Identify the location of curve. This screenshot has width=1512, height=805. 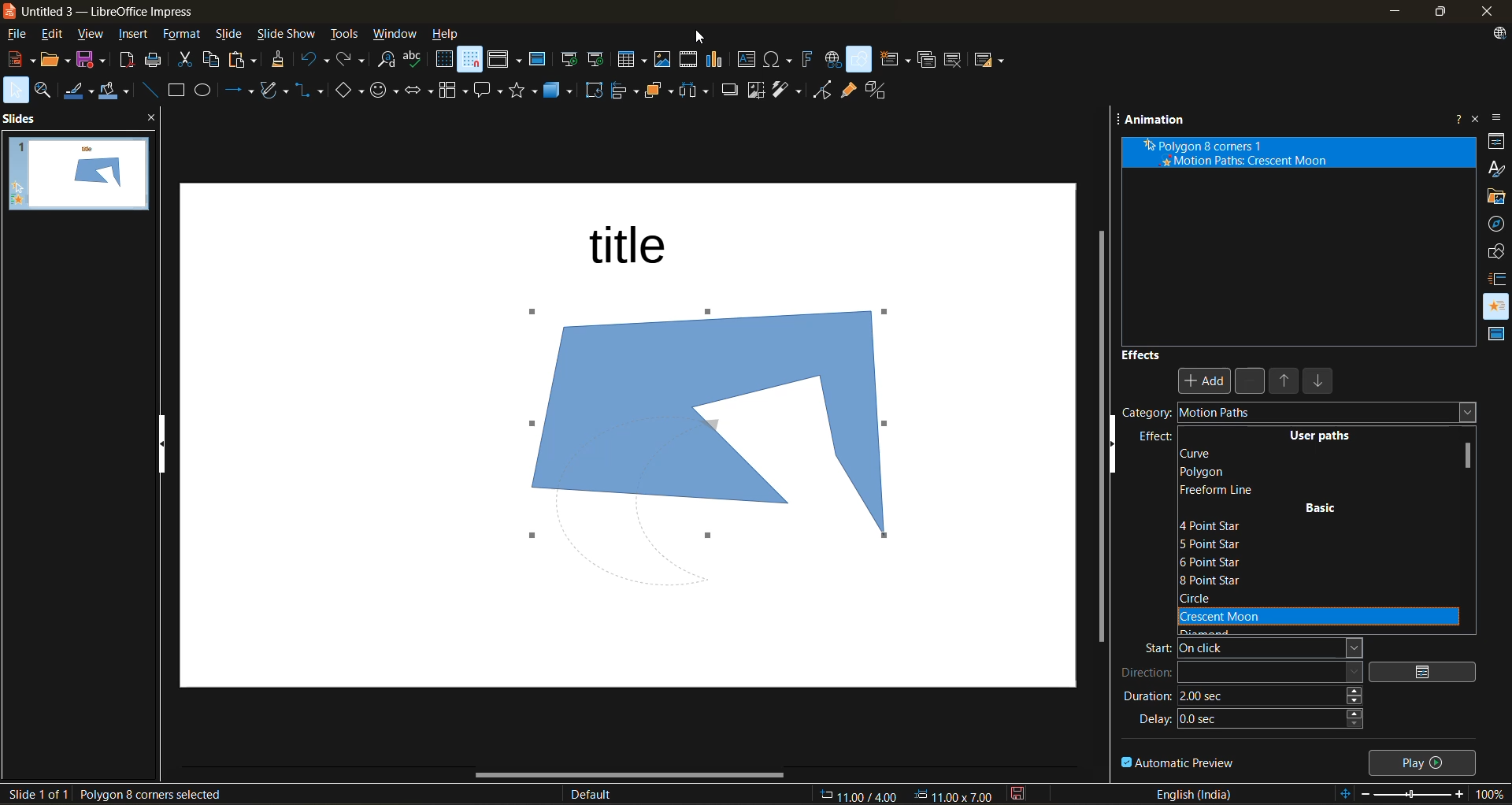
(1201, 454).